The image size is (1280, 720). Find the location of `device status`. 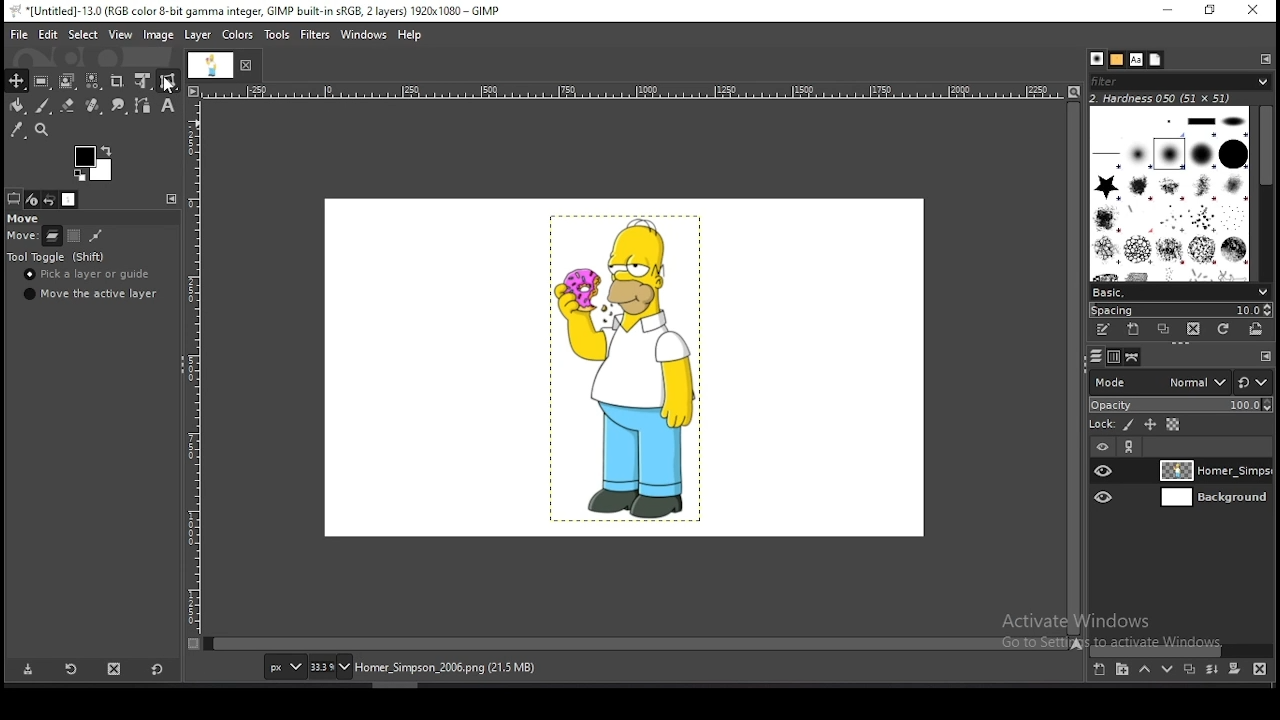

device status is located at coordinates (31, 199).